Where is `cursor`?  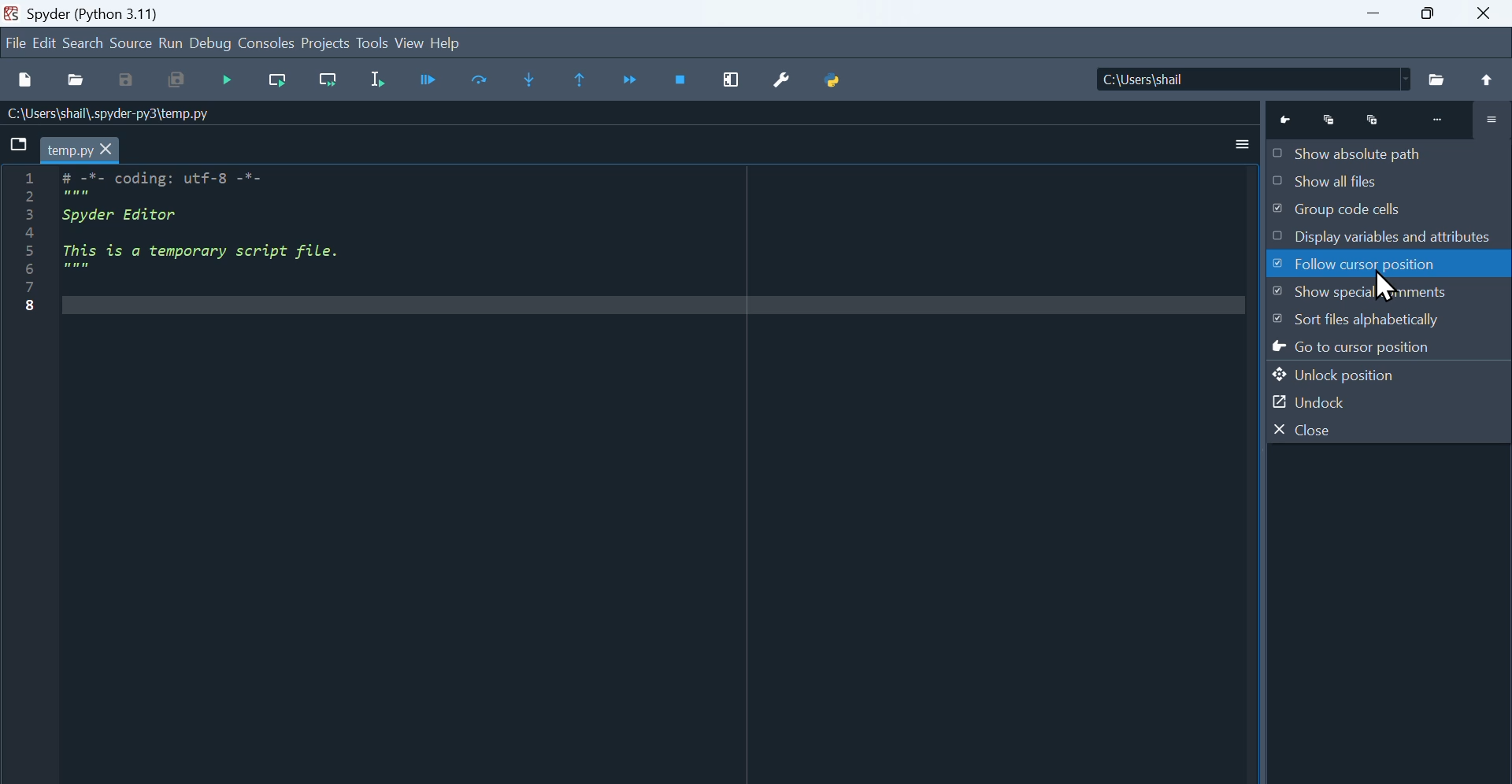 cursor is located at coordinates (1397, 282).